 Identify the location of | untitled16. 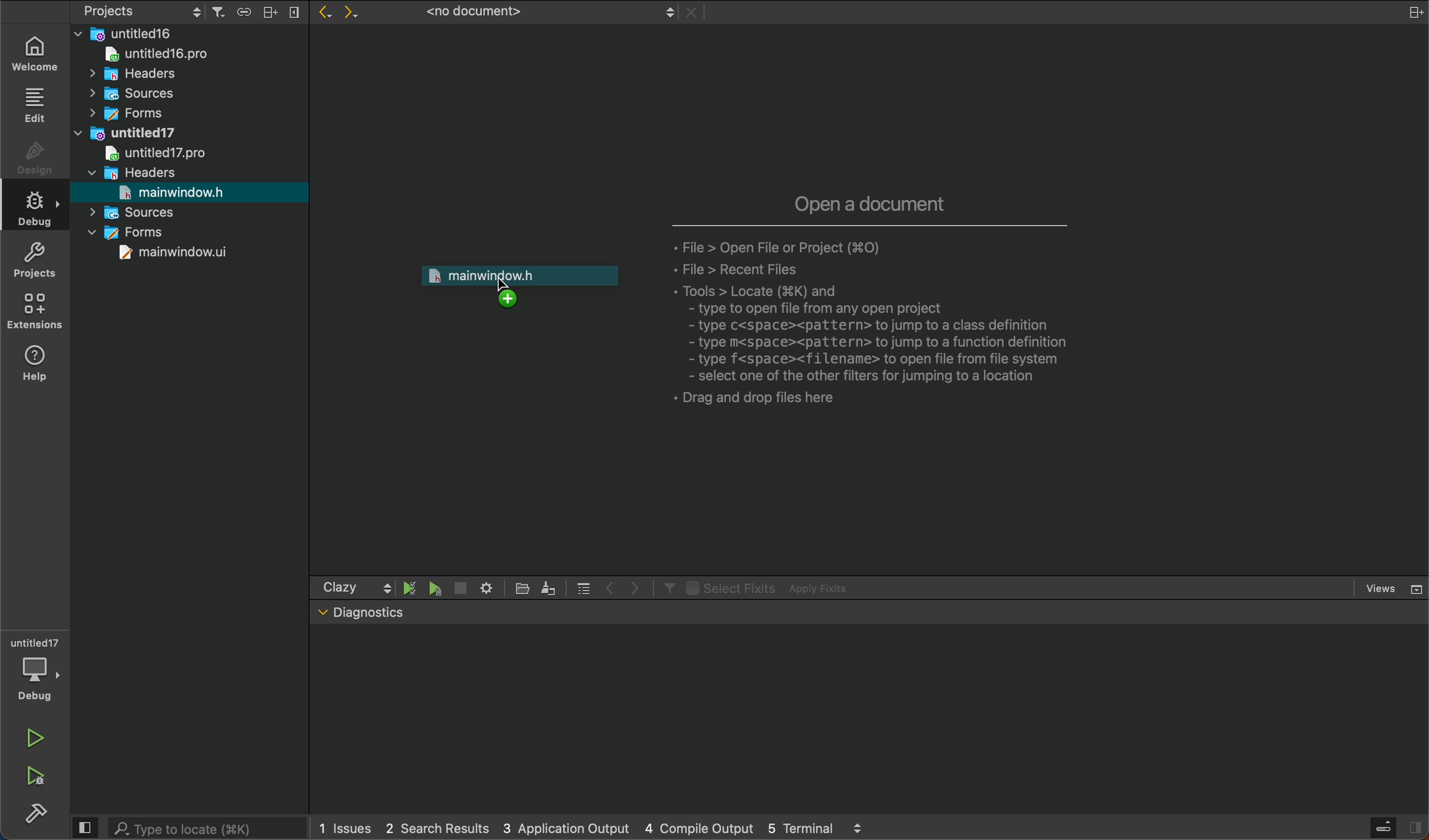
(129, 33).